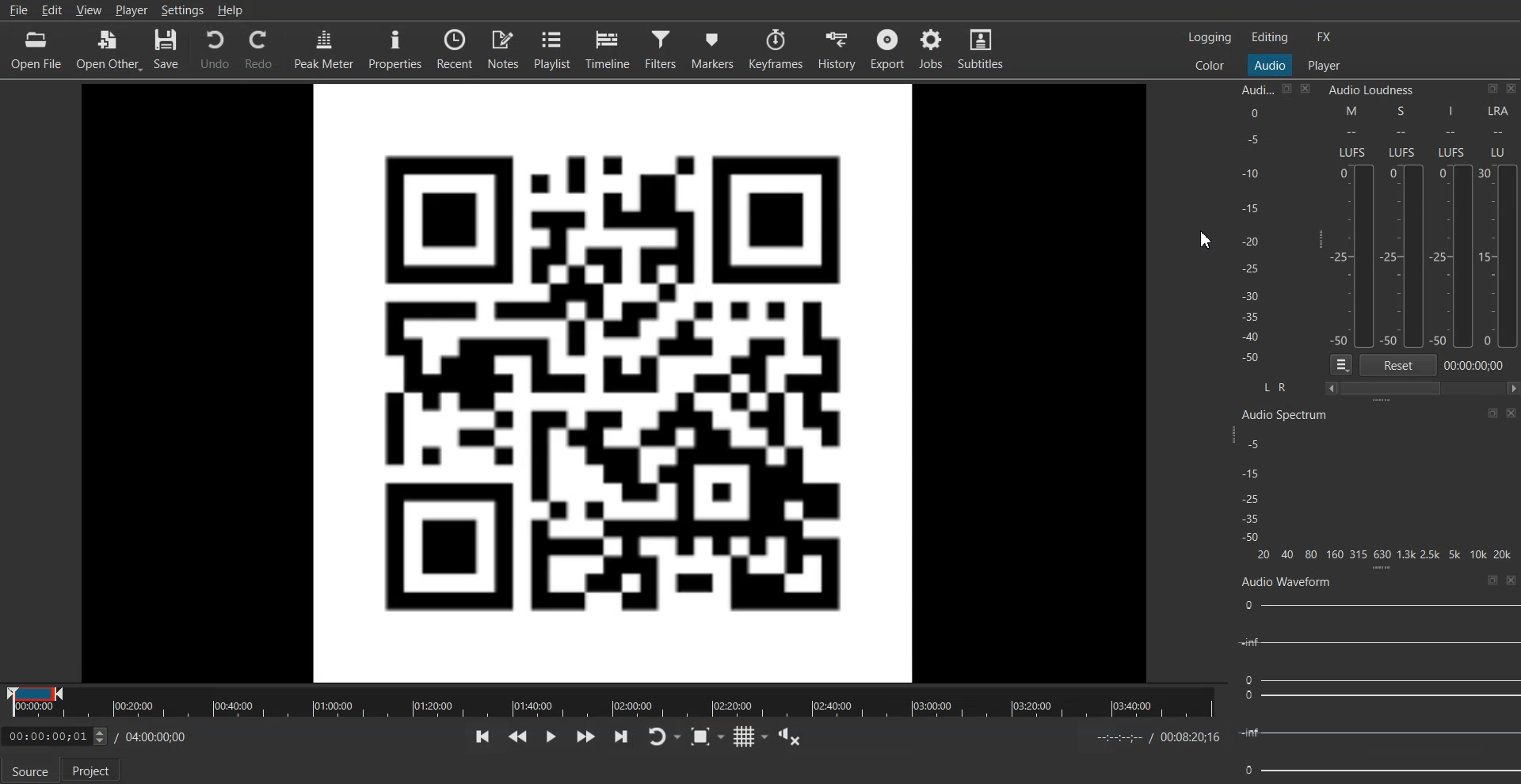 The image size is (1521, 784). What do you see at coordinates (324, 49) in the screenshot?
I see `Peak Meter` at bounding box center [324, 49].